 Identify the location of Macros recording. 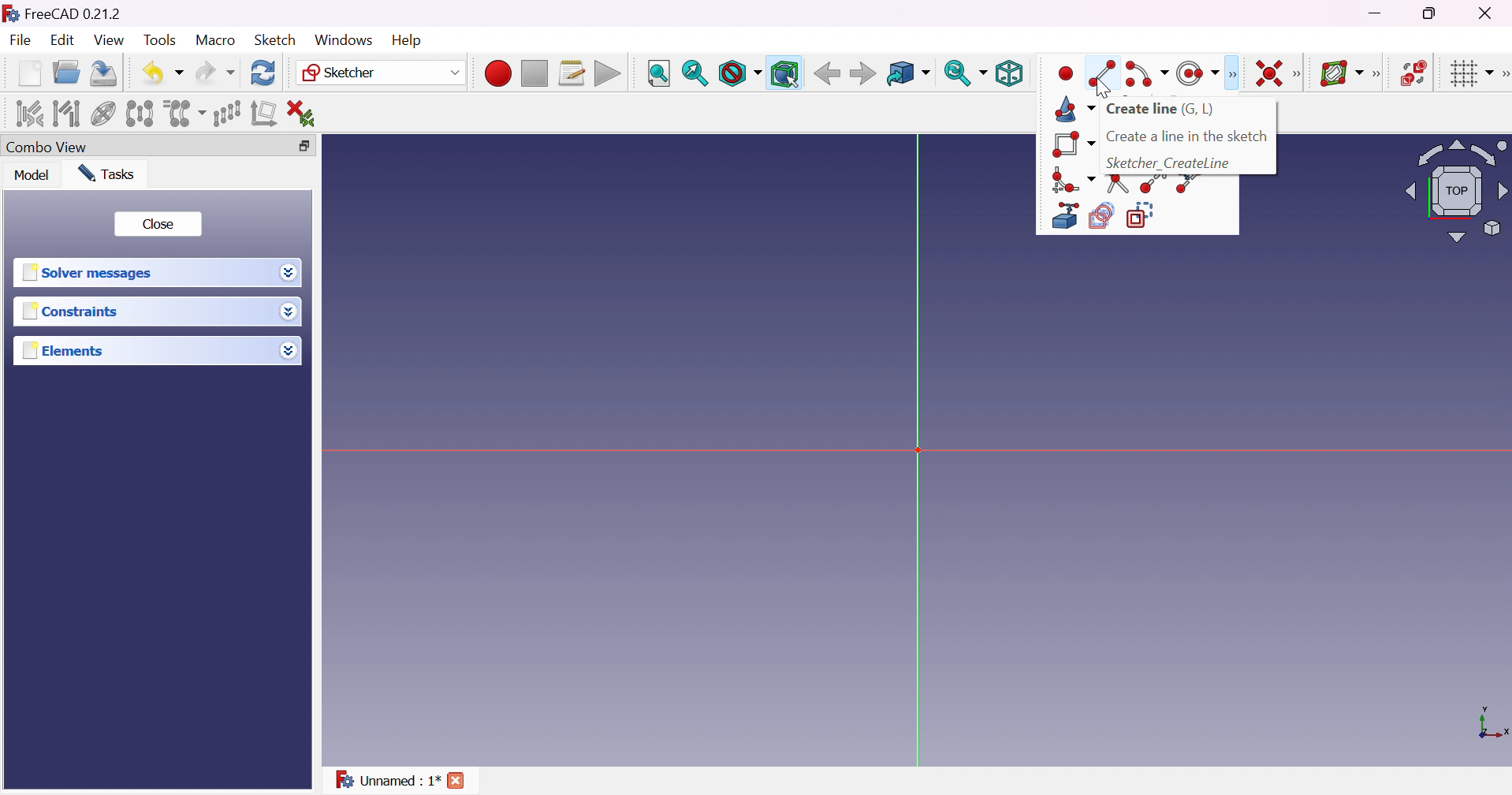
(497, 73).